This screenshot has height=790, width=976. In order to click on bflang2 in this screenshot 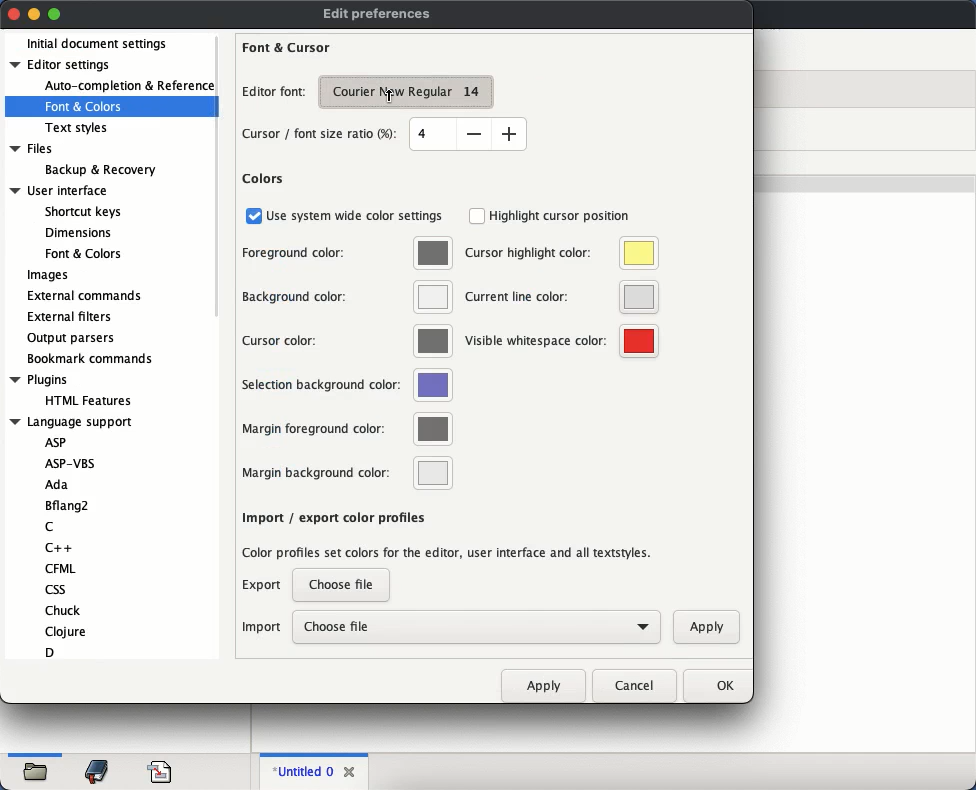, I will do `click(69, 506)`.